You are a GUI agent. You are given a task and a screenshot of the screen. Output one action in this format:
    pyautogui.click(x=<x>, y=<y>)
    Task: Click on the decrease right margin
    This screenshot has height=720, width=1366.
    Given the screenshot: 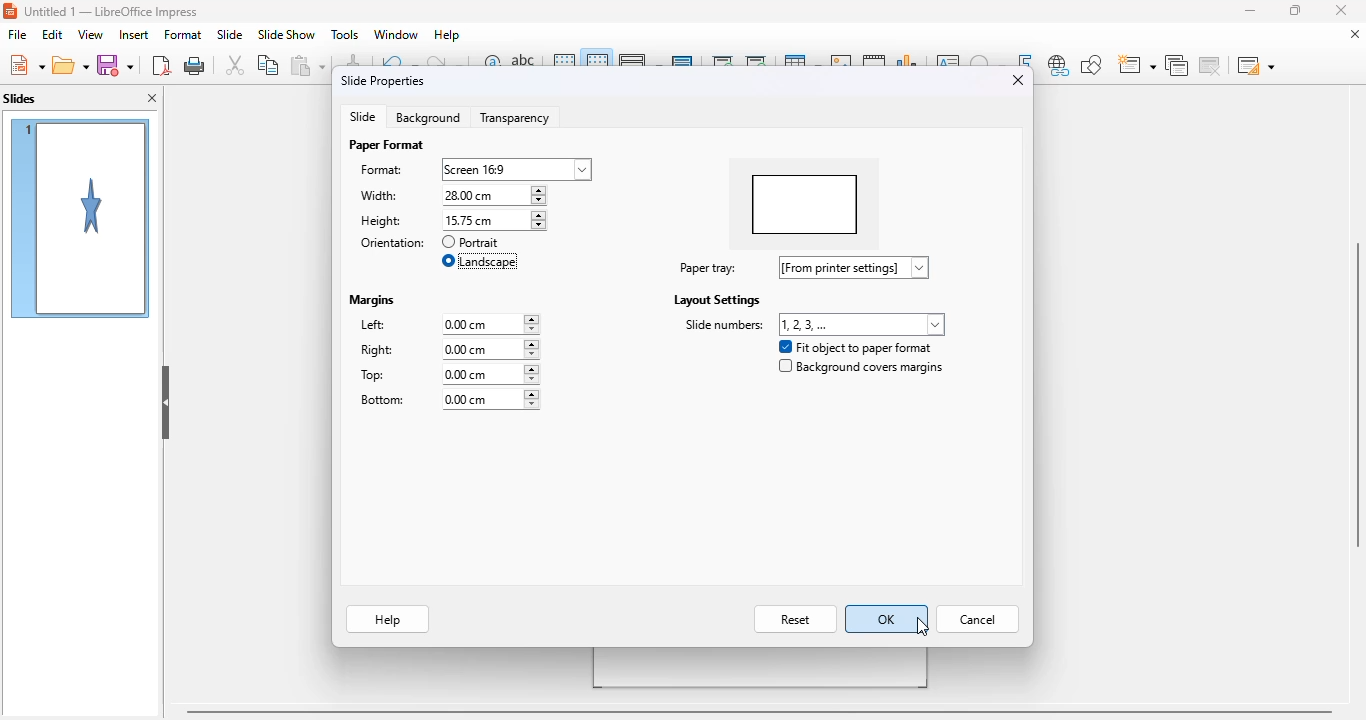 What is the action you would take?
    pyautogui.click(x=533, y=356)
    